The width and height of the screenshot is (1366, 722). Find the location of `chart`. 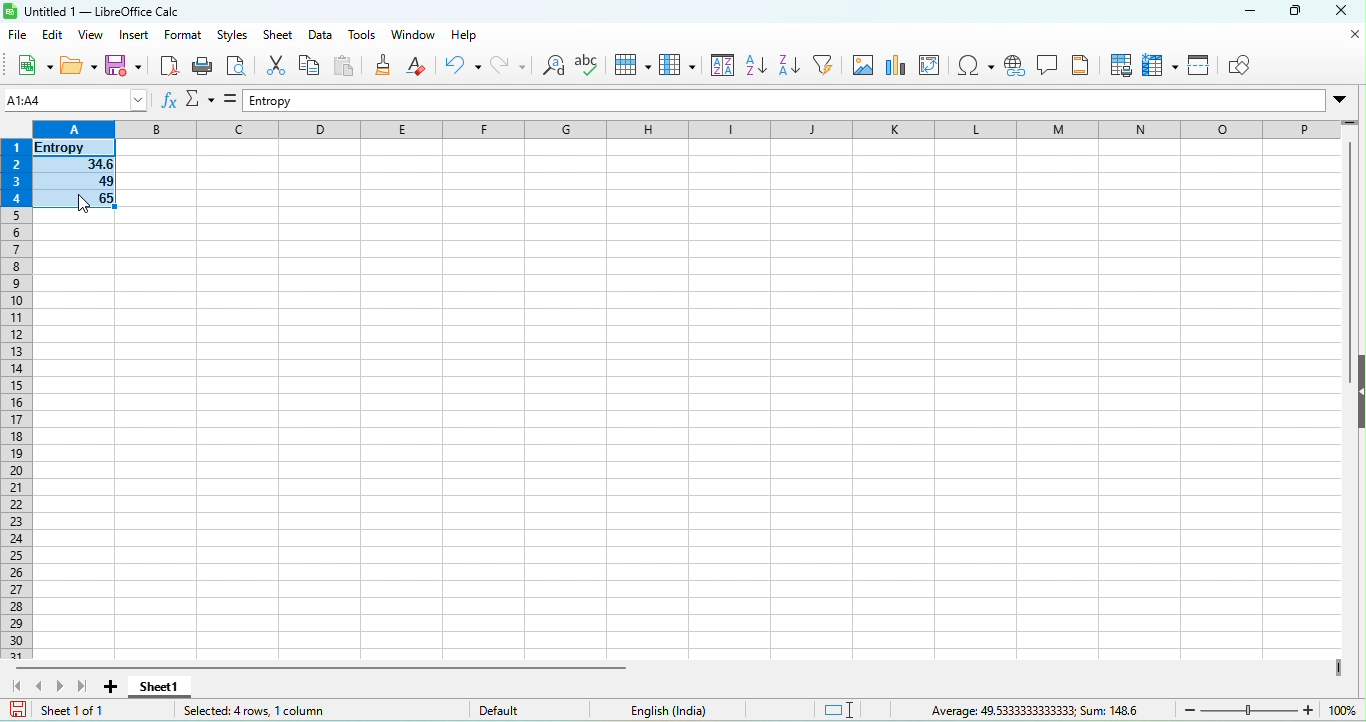

chart is located at coordinates (900, 65).